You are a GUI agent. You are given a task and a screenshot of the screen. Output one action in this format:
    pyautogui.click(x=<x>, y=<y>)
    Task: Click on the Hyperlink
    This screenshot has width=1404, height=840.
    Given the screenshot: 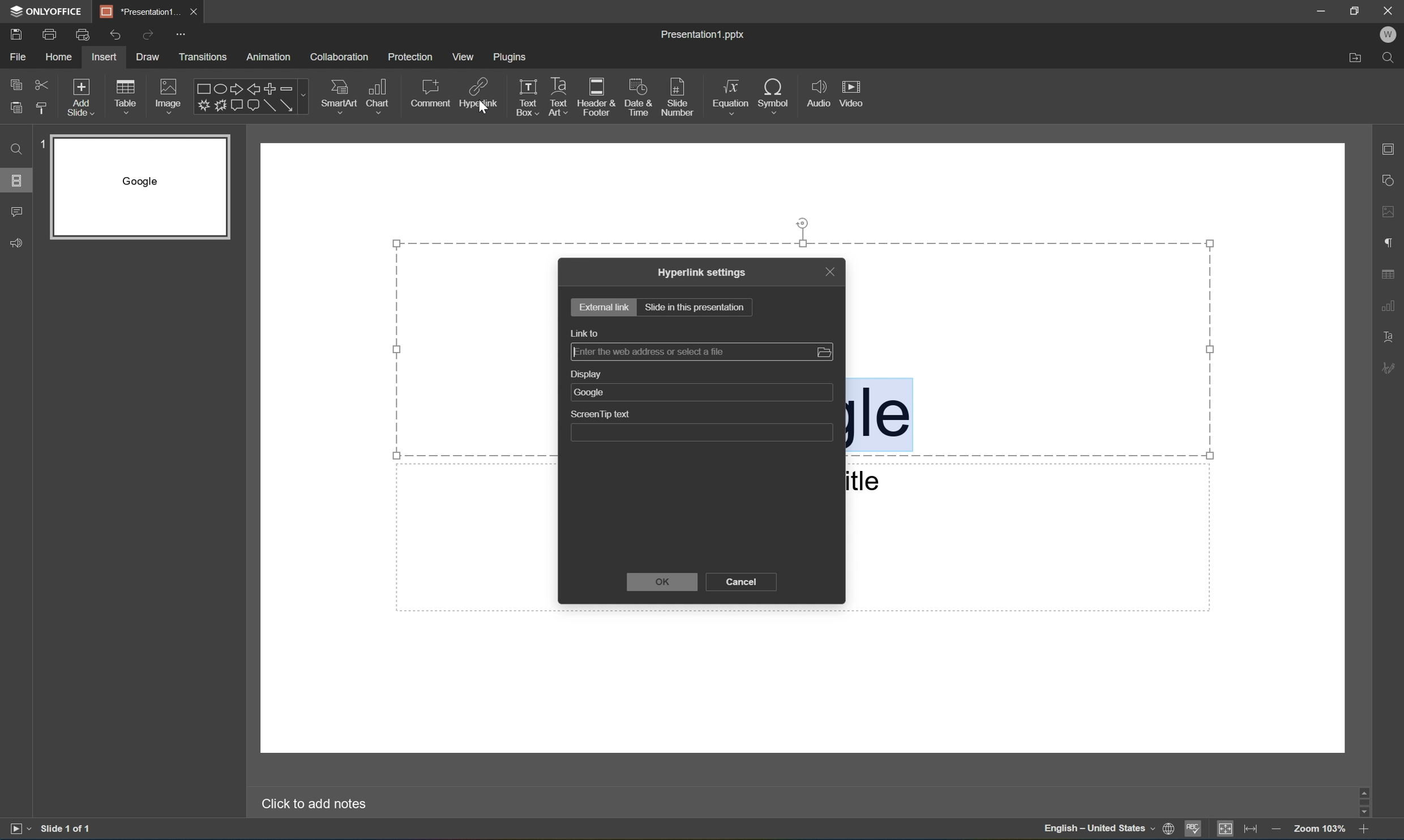 What is the action you would take?
    pyautogui.click(x=477, y=95)
    